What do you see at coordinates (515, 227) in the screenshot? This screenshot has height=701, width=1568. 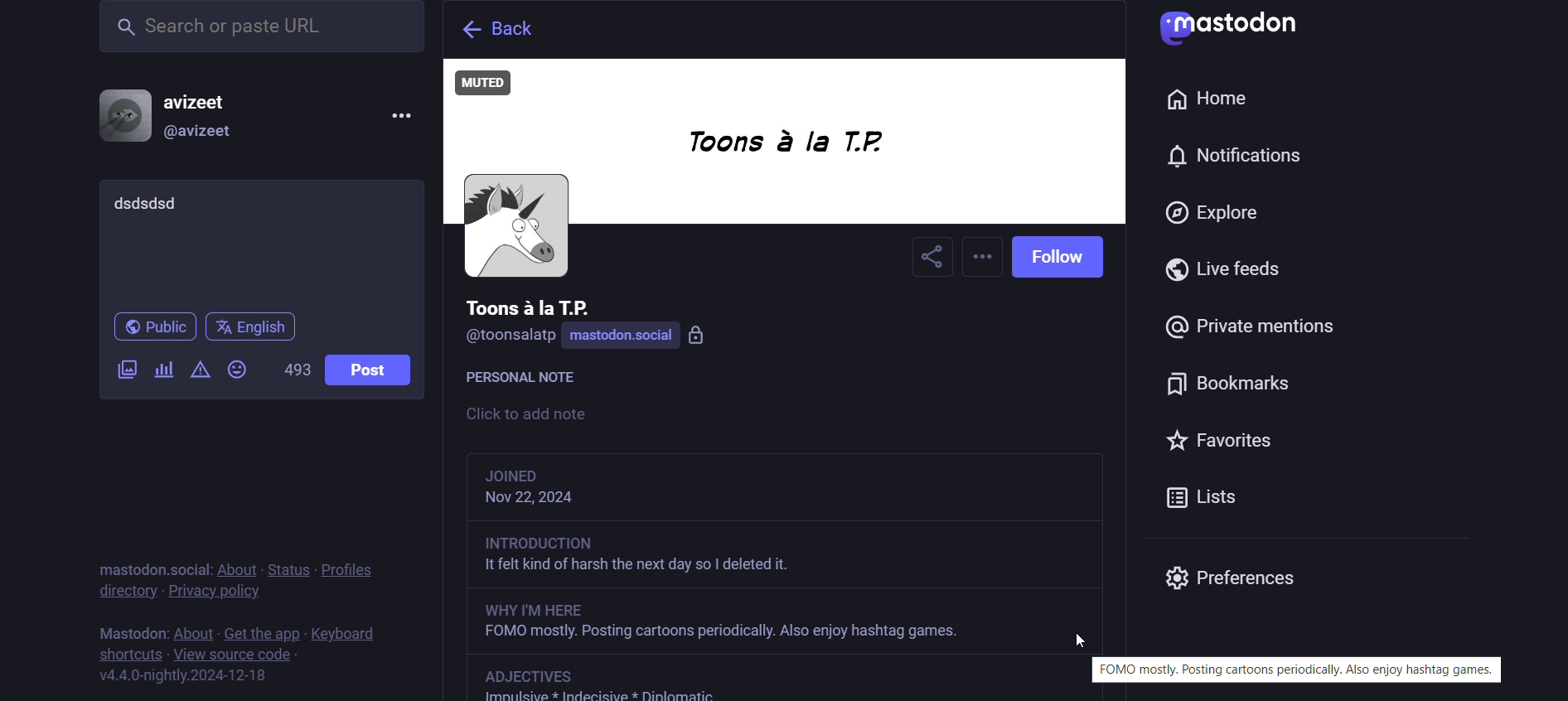 I see `profile picture` at bounding box center [515, 227].